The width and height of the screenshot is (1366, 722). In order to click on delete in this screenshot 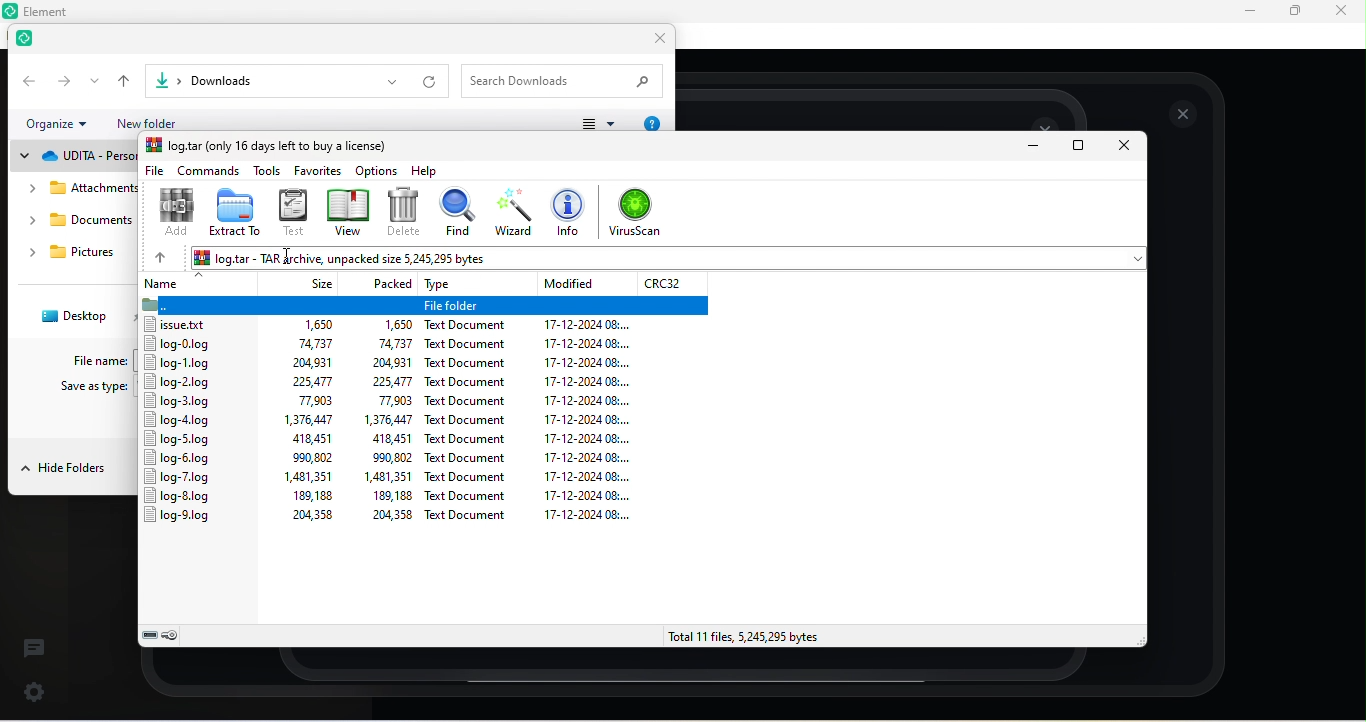, I will do `click(402, 212)`.